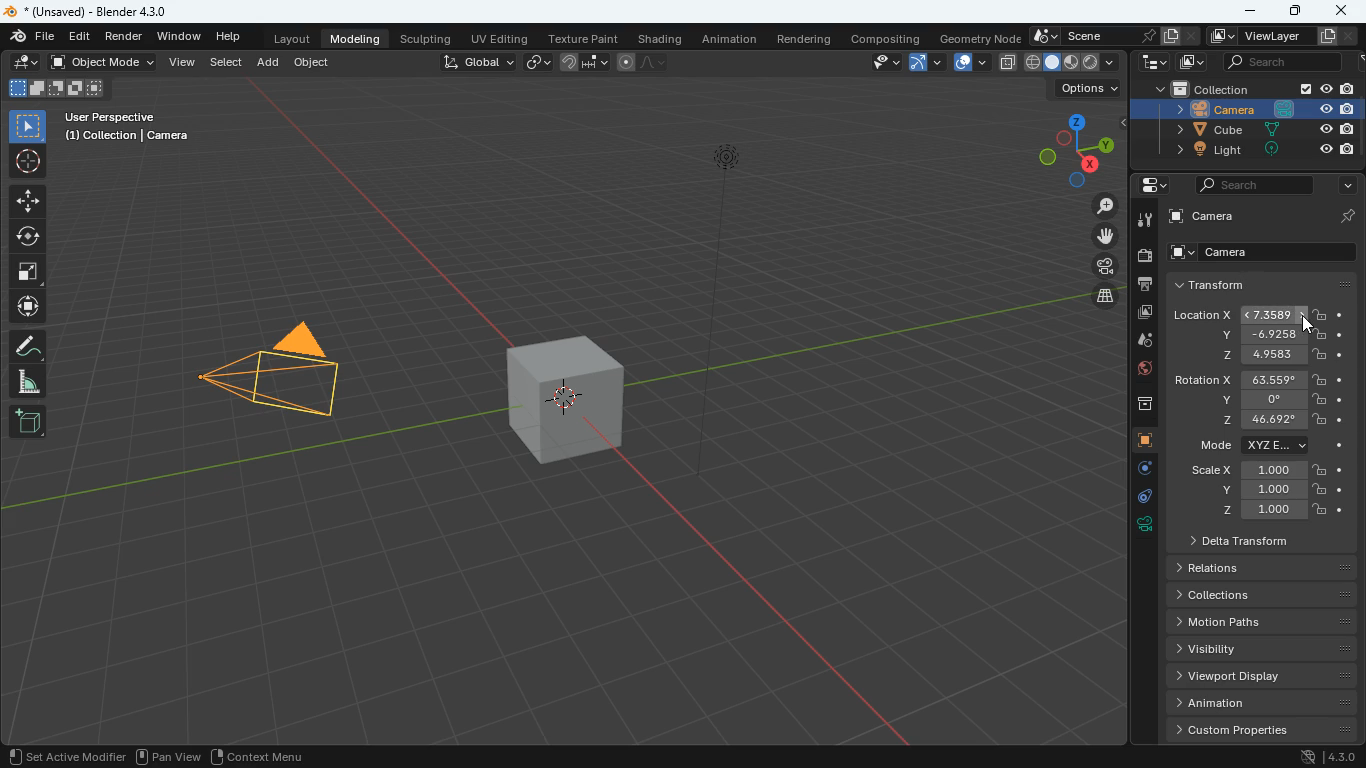 The image size is (1366, 768). What do you see at coordinates (355, 38) in the screenshot?
I see `modeling` at bounding box center [355, 38].